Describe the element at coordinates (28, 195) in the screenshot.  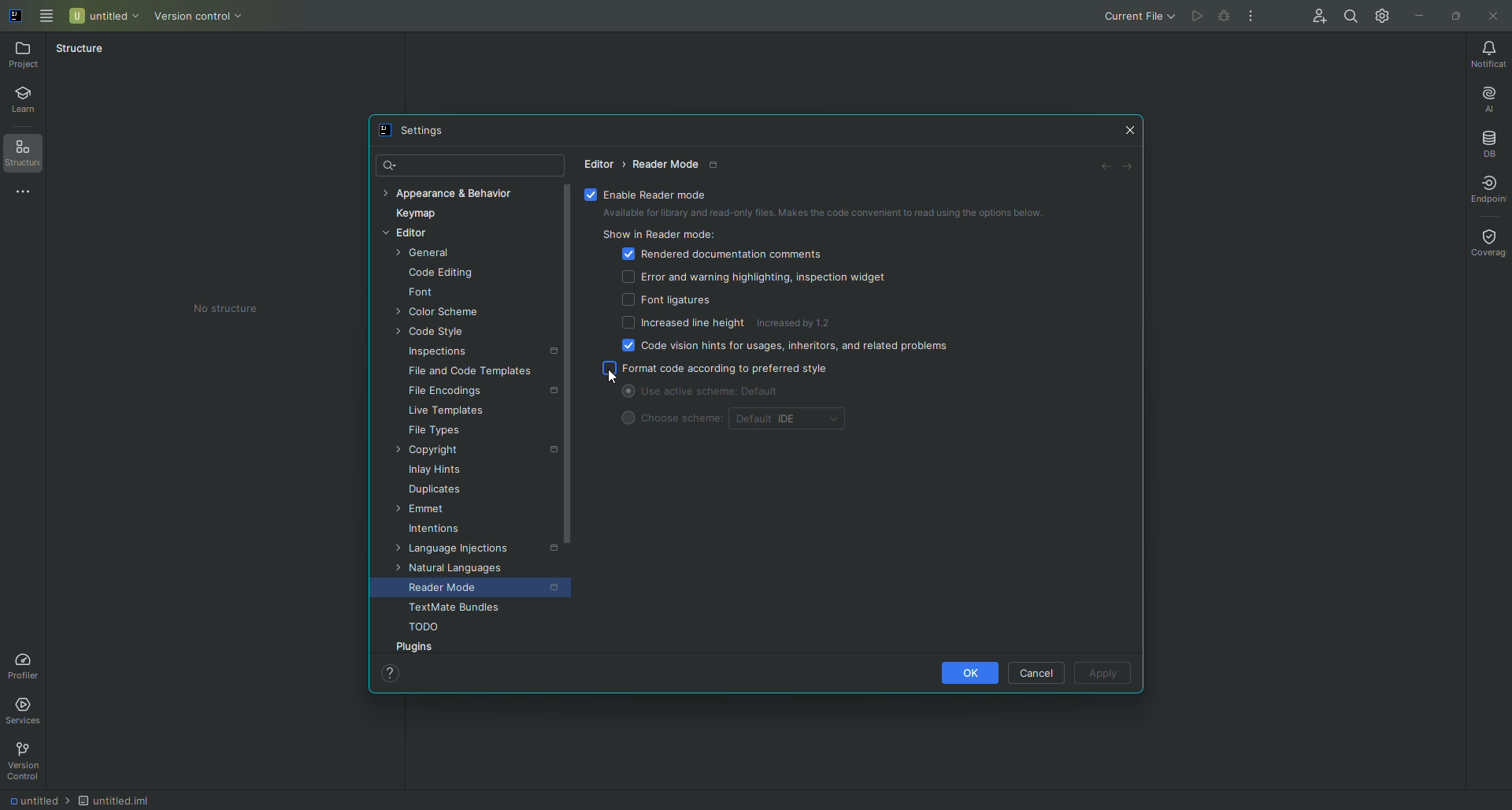
I see `More Tools` at that location.